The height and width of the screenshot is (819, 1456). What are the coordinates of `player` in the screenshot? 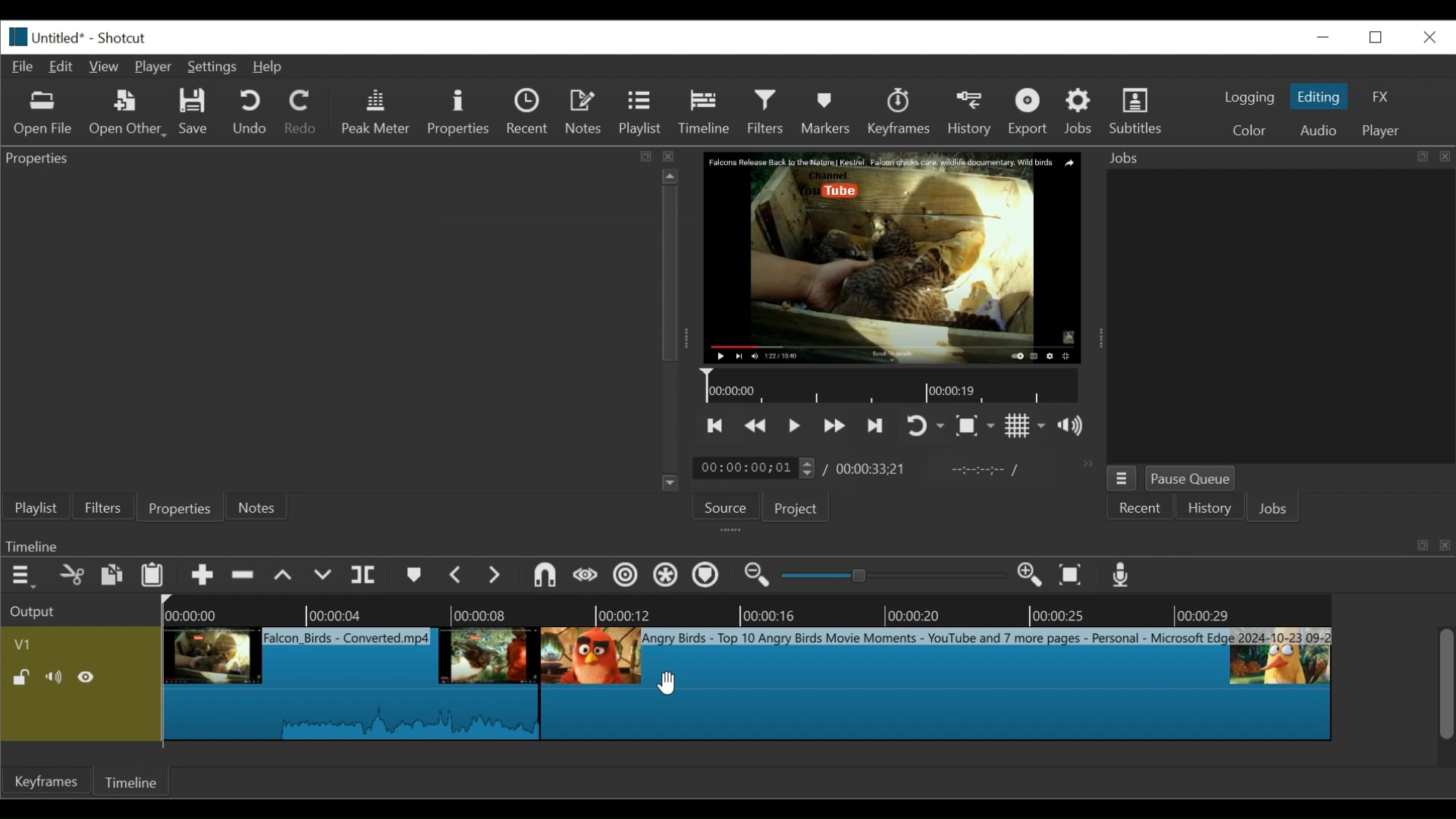 It's located at (1382, 130).